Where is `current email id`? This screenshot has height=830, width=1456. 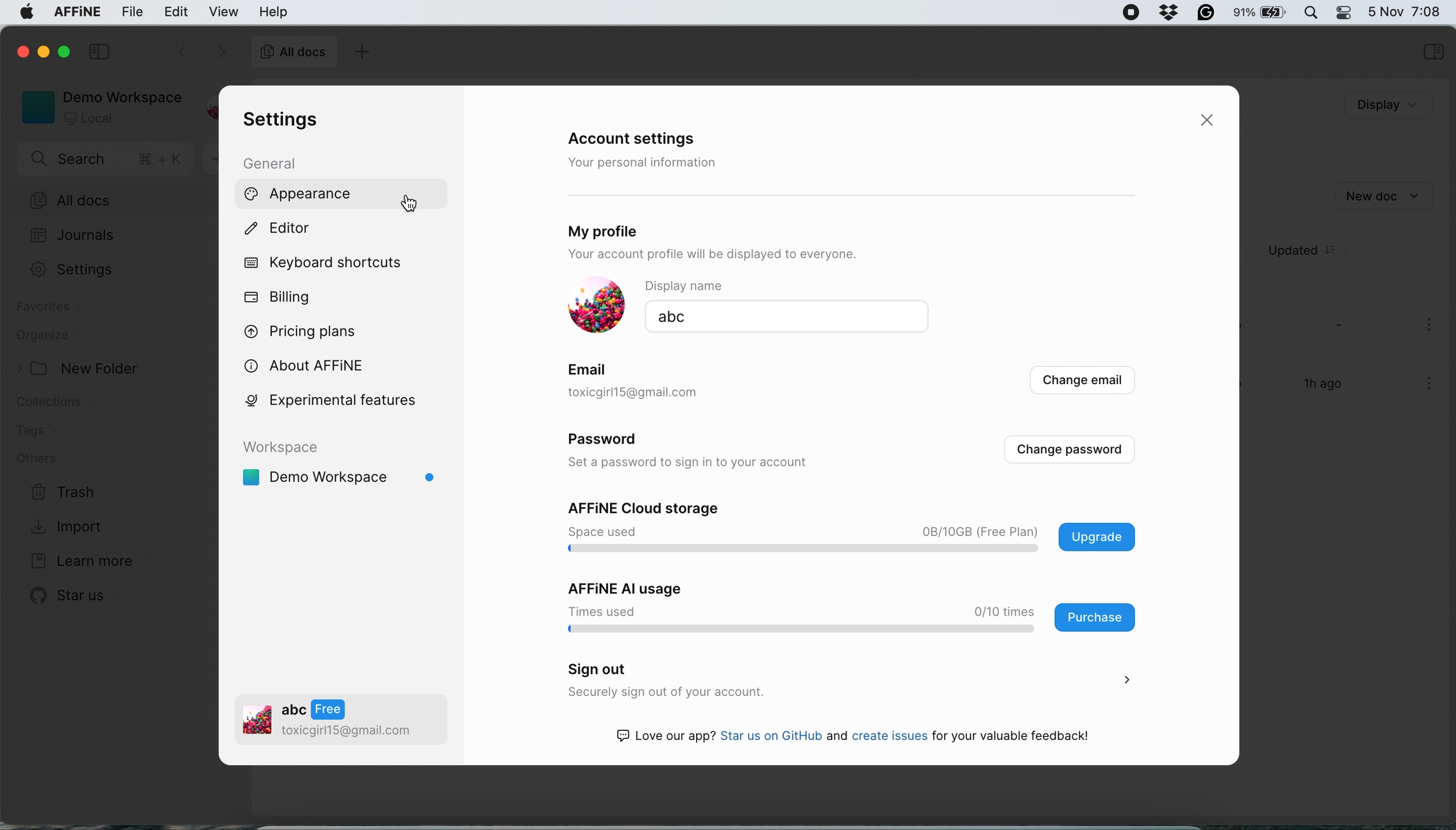 current email id is located at coordinates (668, 394).